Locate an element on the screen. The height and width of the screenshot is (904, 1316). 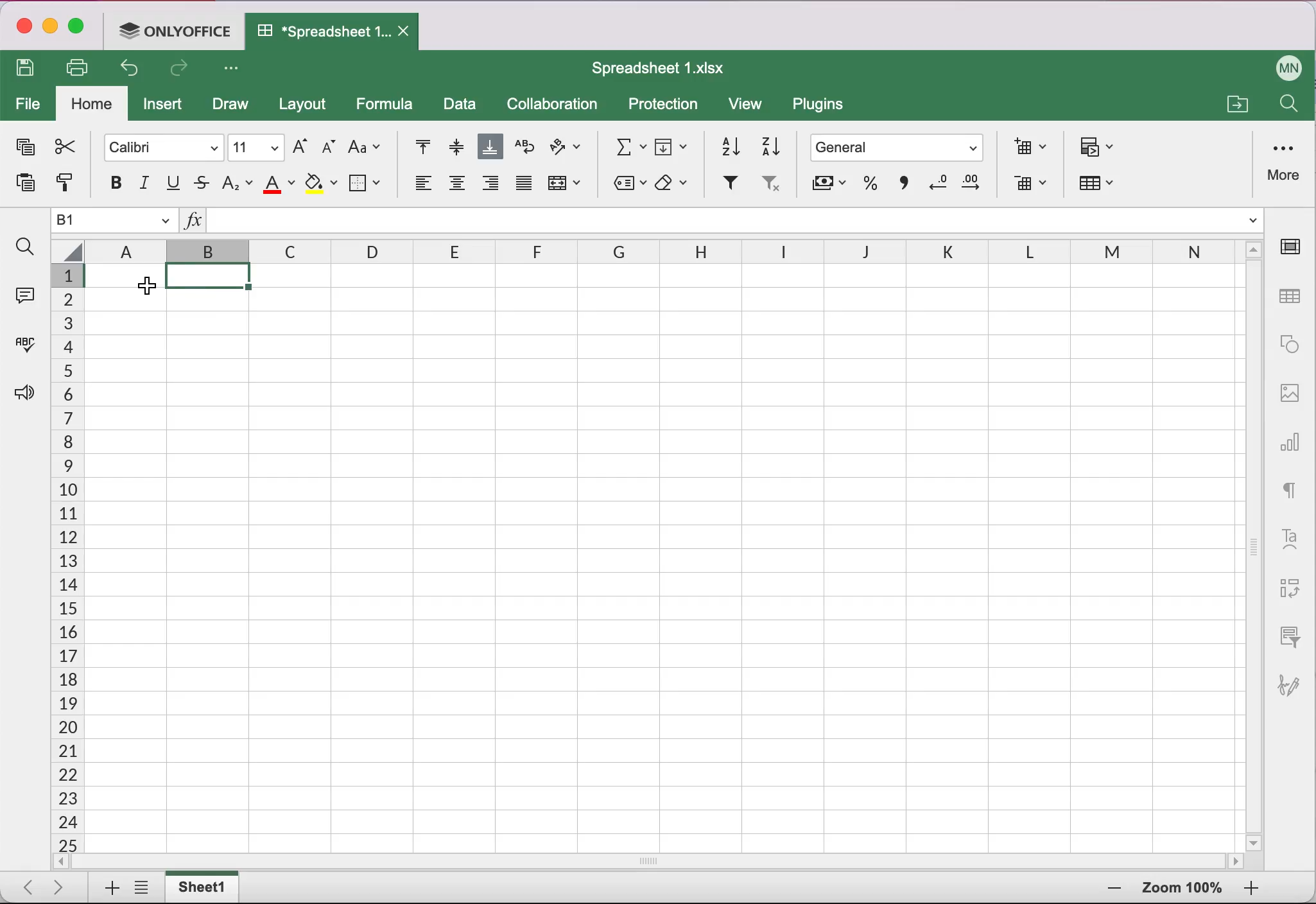
spell checking is located at coordinates (22, 349).